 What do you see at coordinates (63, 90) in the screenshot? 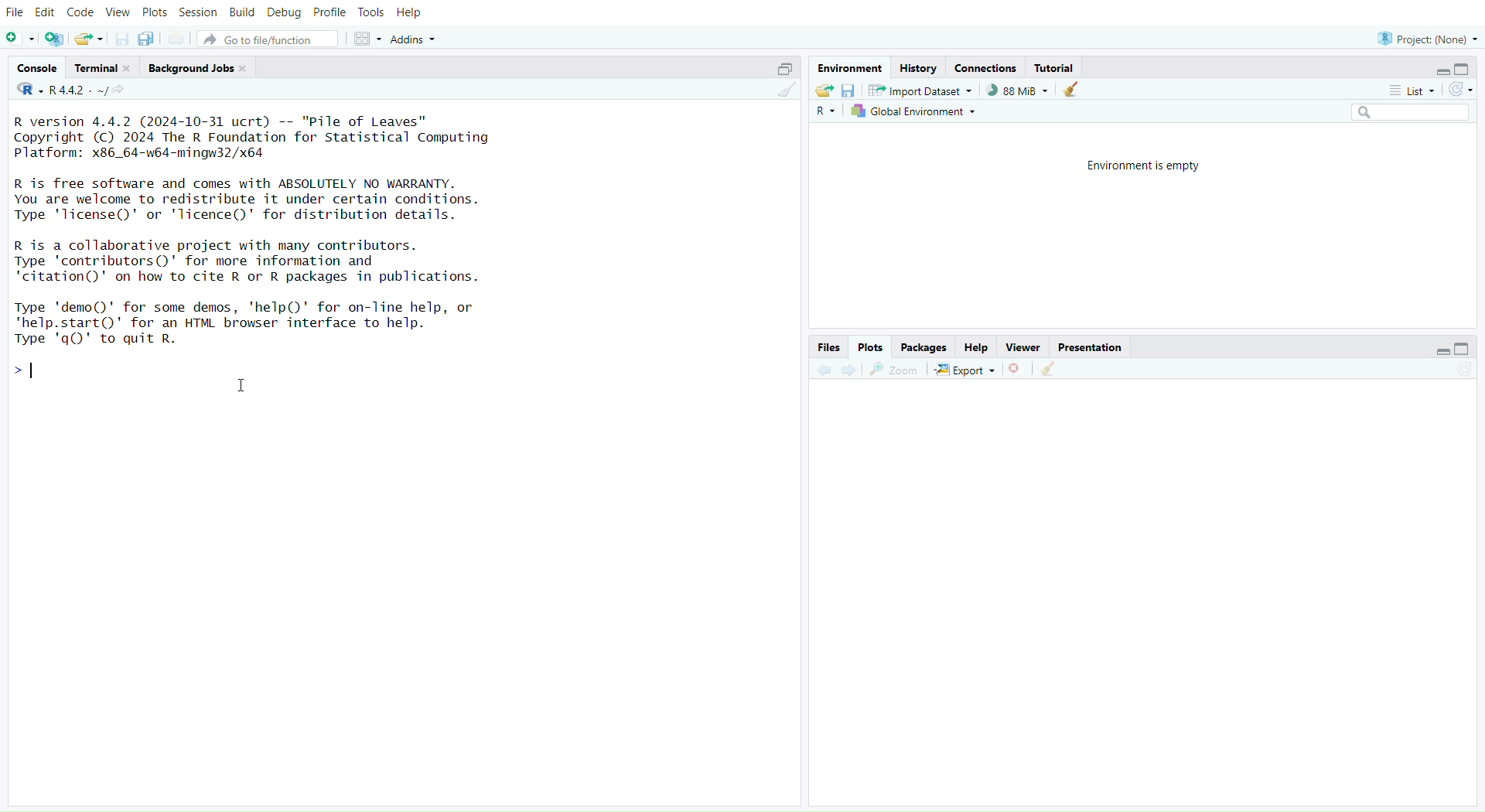
I see `R 4.4.2` at bounding box center [63, 90].